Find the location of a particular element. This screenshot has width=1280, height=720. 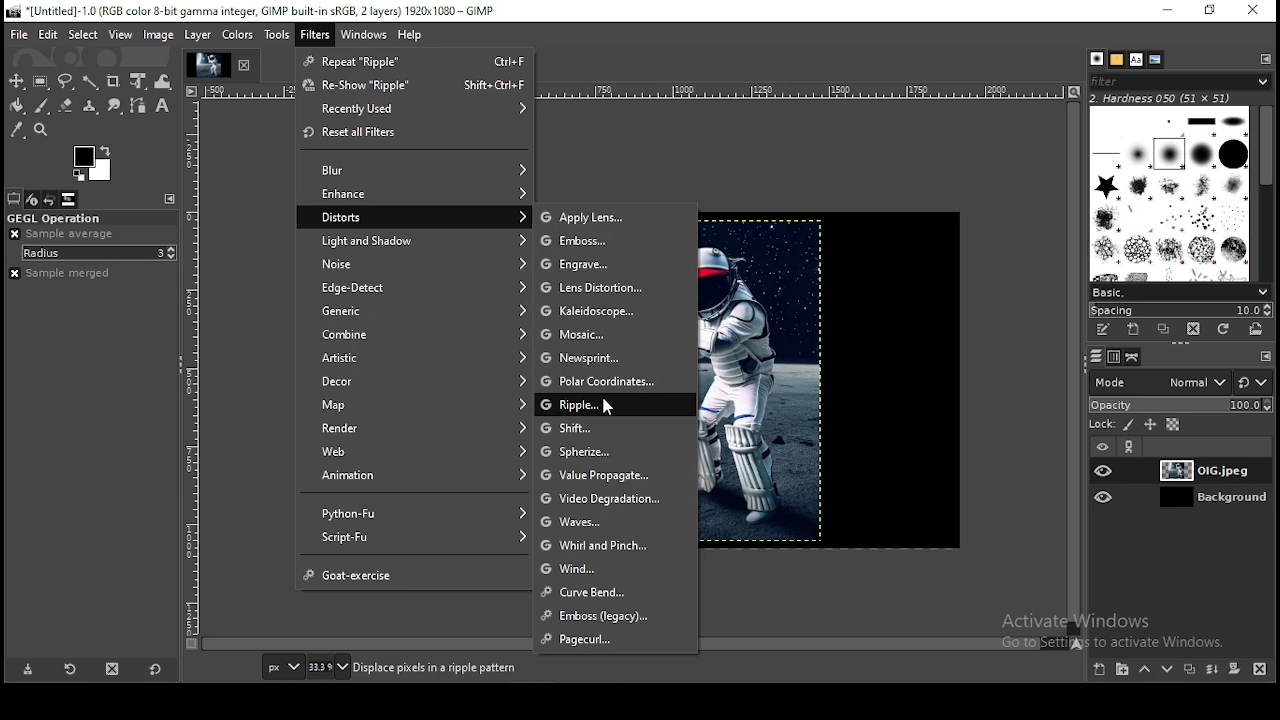

configure this tab is located at coordinates (170, 199).